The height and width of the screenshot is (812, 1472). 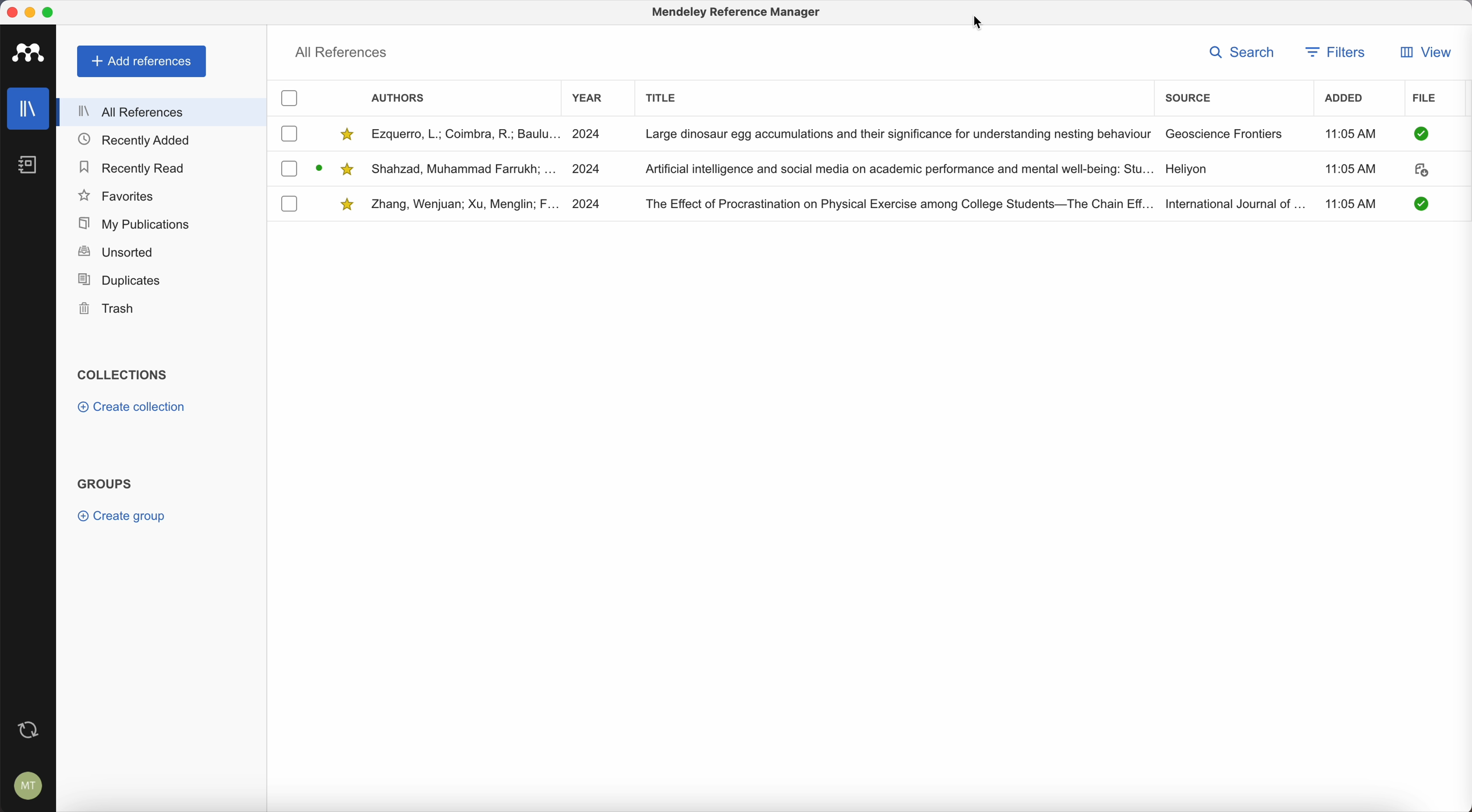 I want to click on cursor, so click(x=980, y=23).